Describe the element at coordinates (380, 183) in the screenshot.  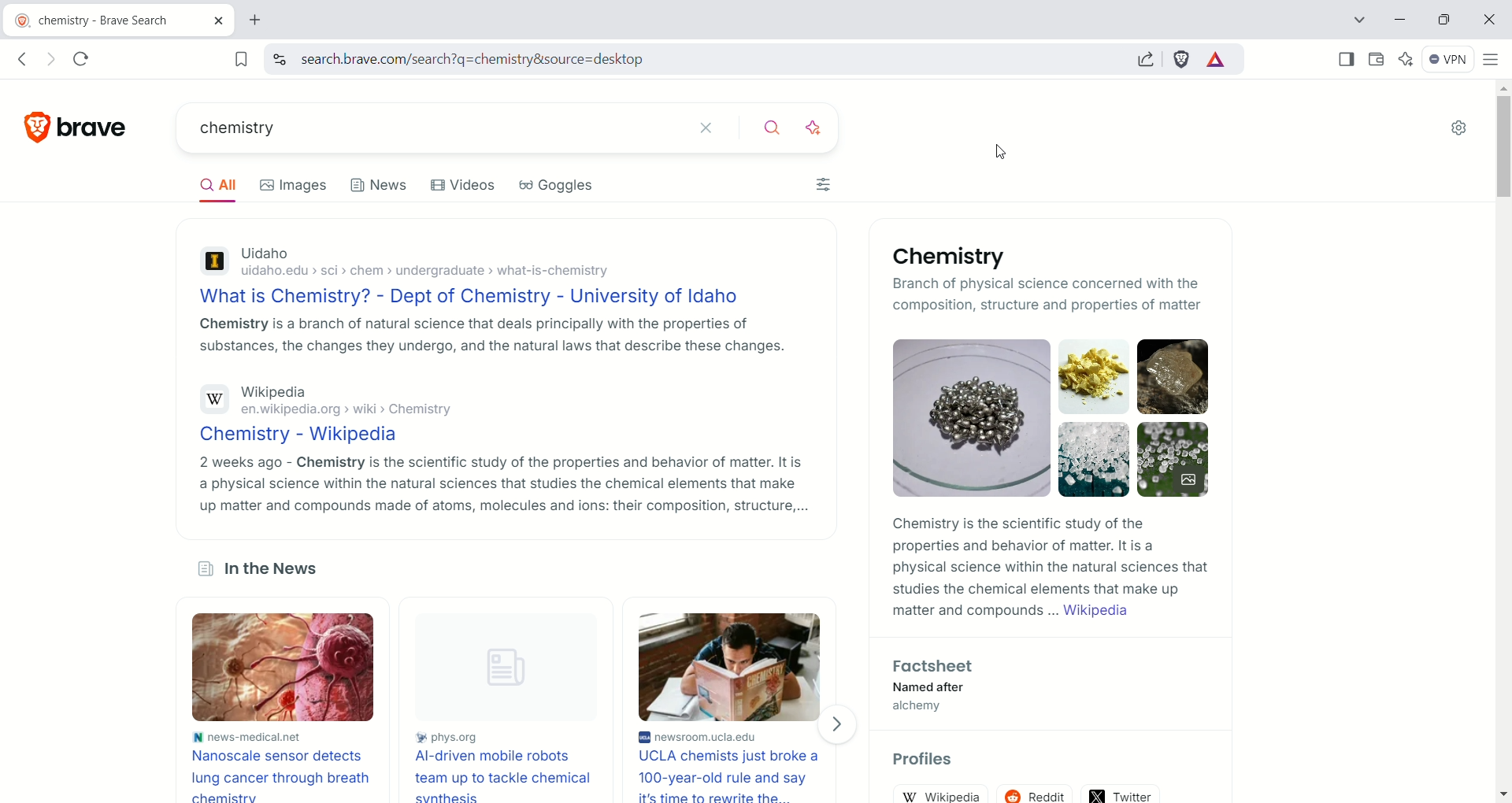
I see `News` at that location.